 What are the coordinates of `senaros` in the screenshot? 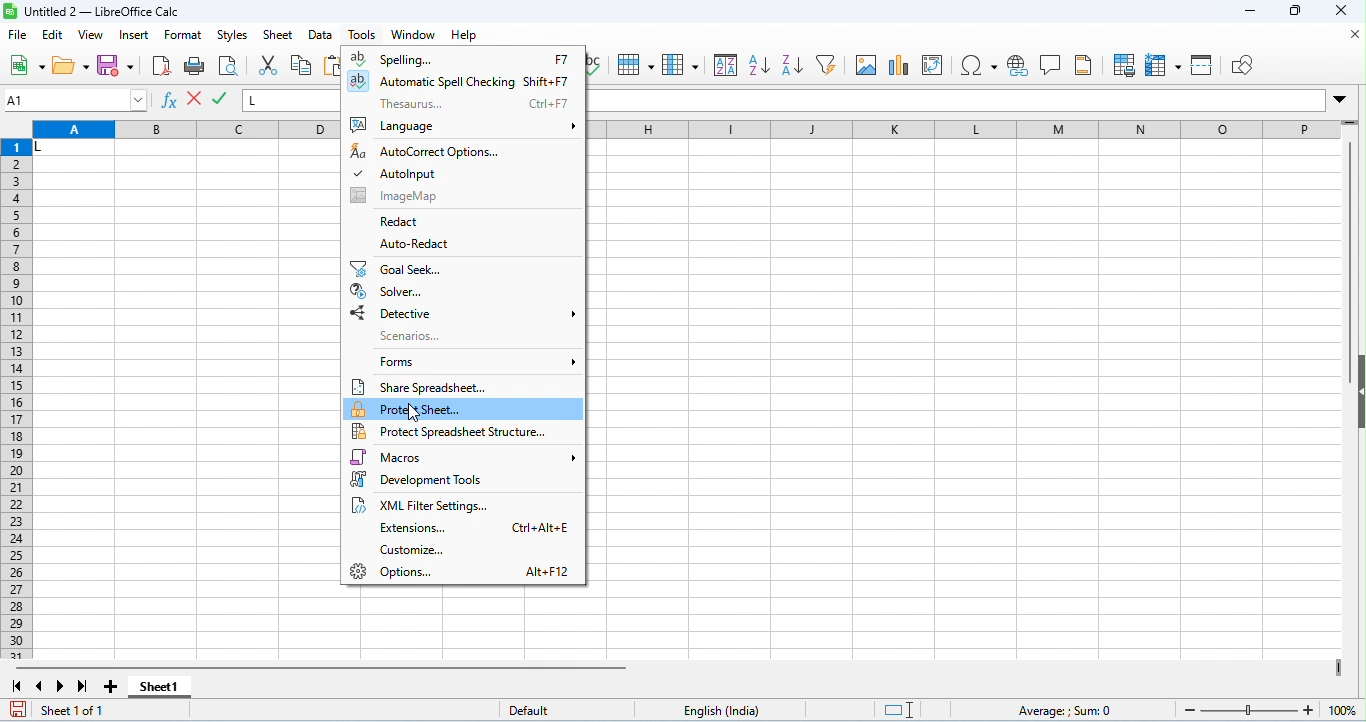 It's located at (410, 336).